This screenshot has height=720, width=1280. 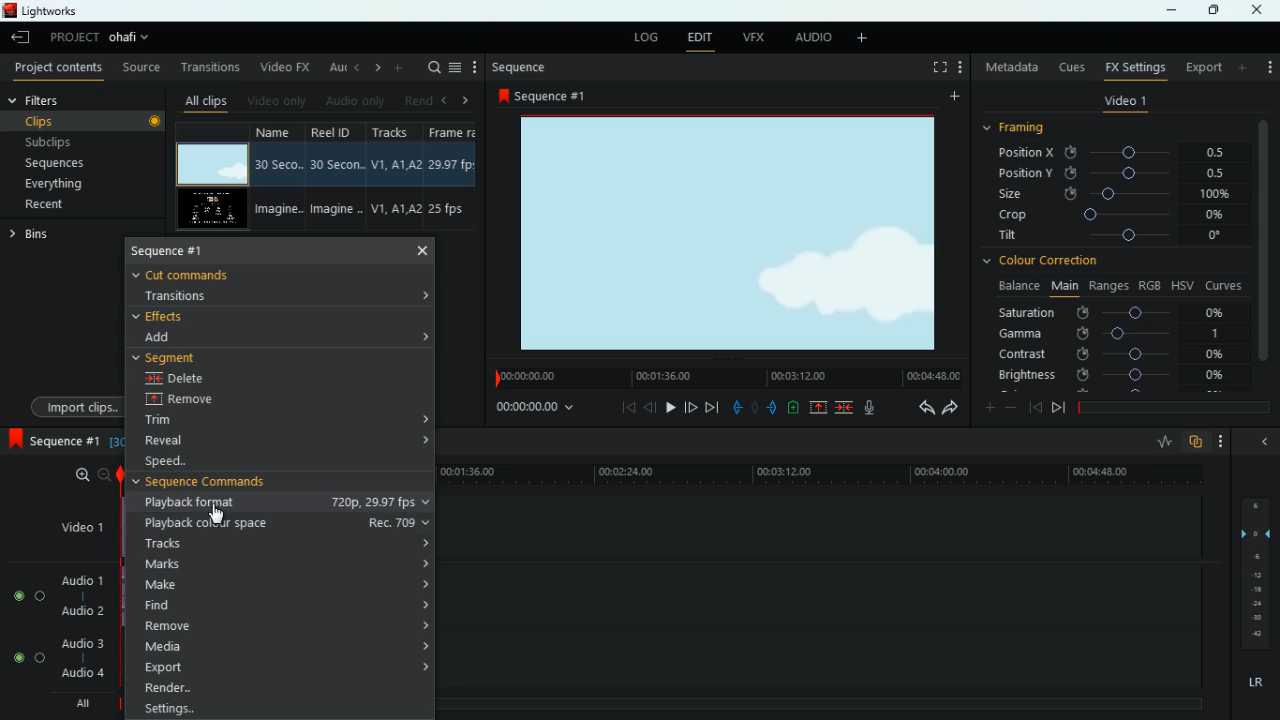 What do you see at coordinates (690, 408) in the screenshot?
I see `jump` at bounding box center [690, 408].